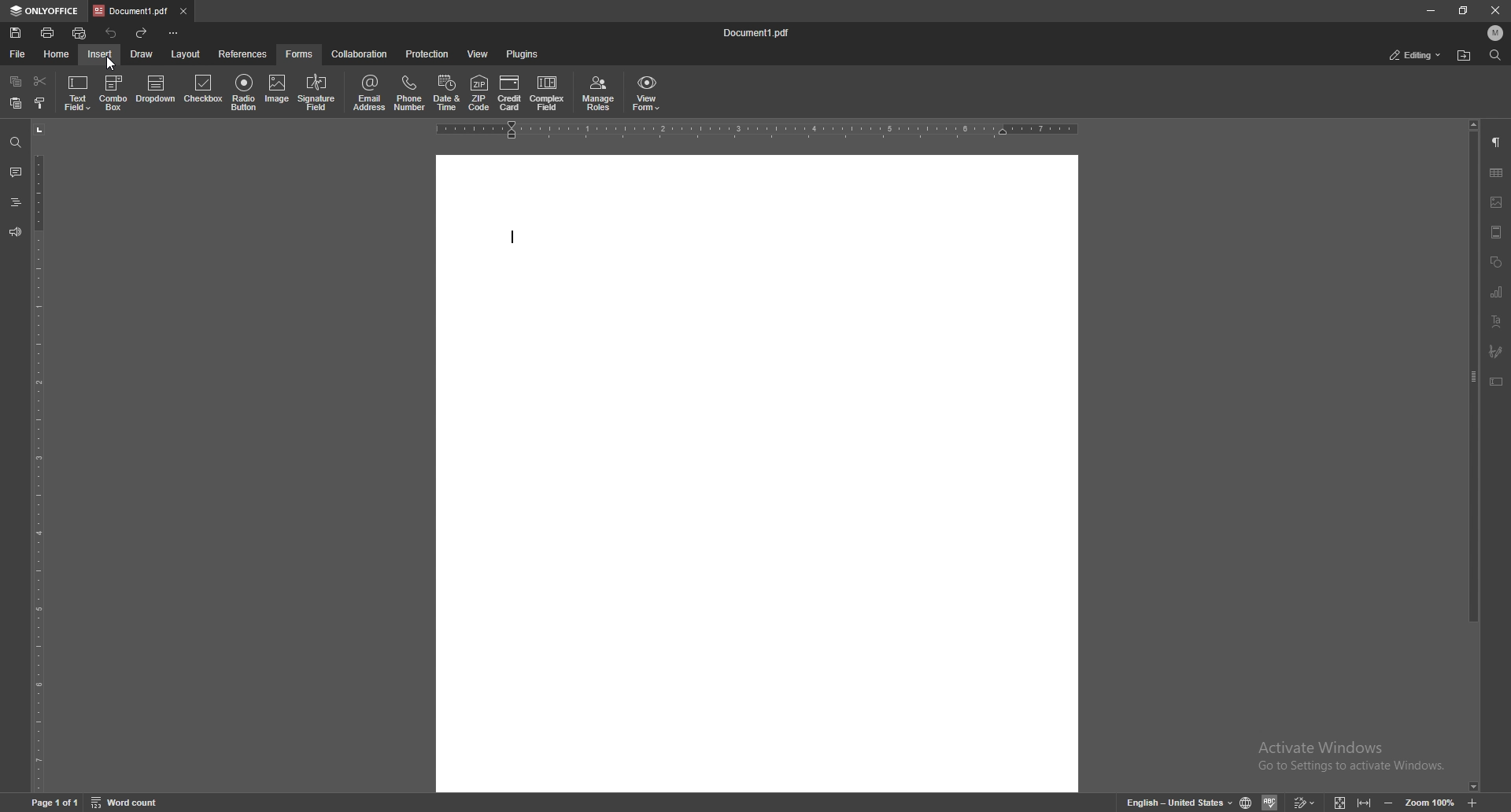  Describe the element at coordinates (17, 54) in the screenshot. I see `file` at that location.